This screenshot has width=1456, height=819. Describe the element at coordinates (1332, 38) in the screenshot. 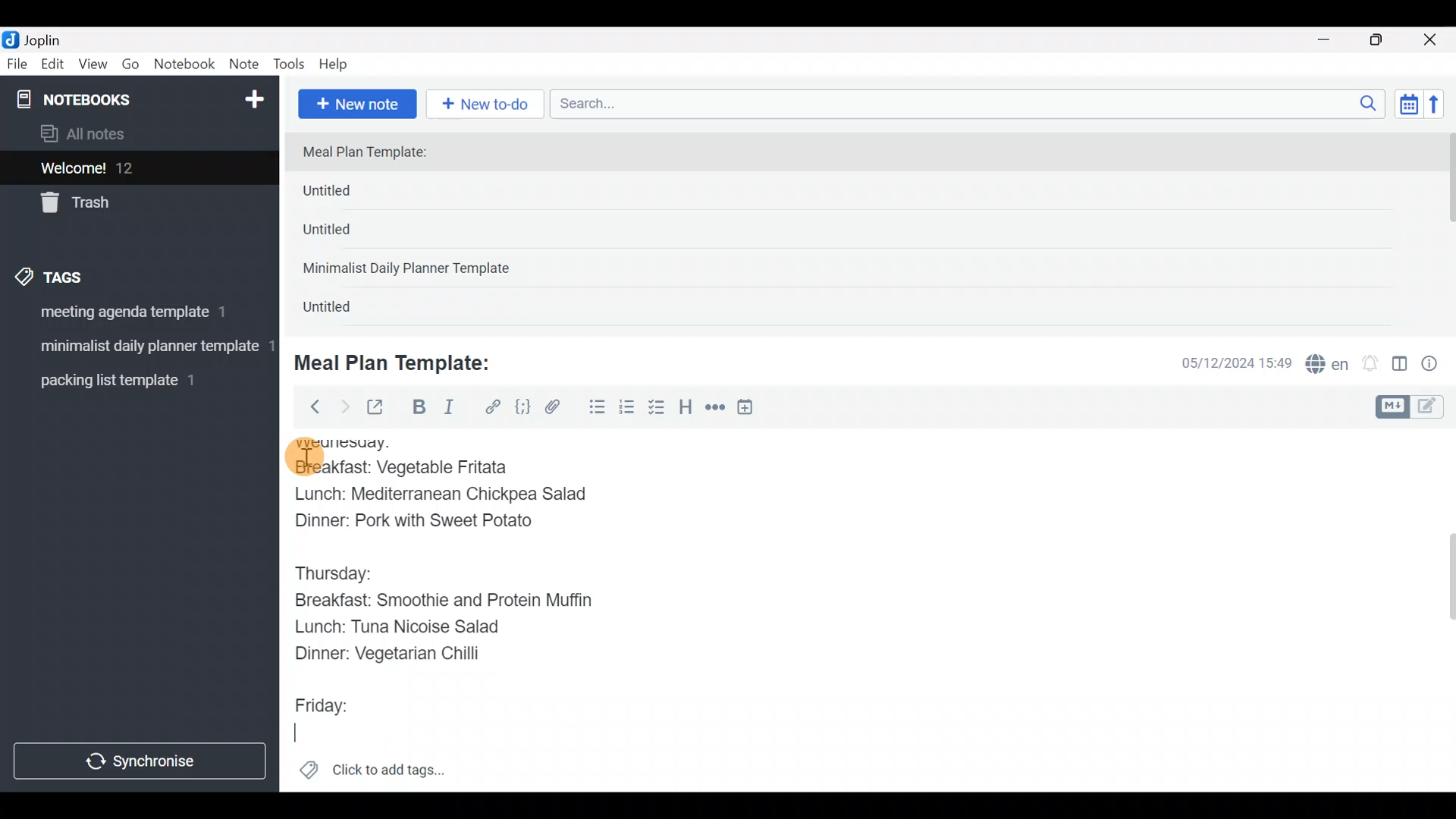

I see `Minimize` at that location.